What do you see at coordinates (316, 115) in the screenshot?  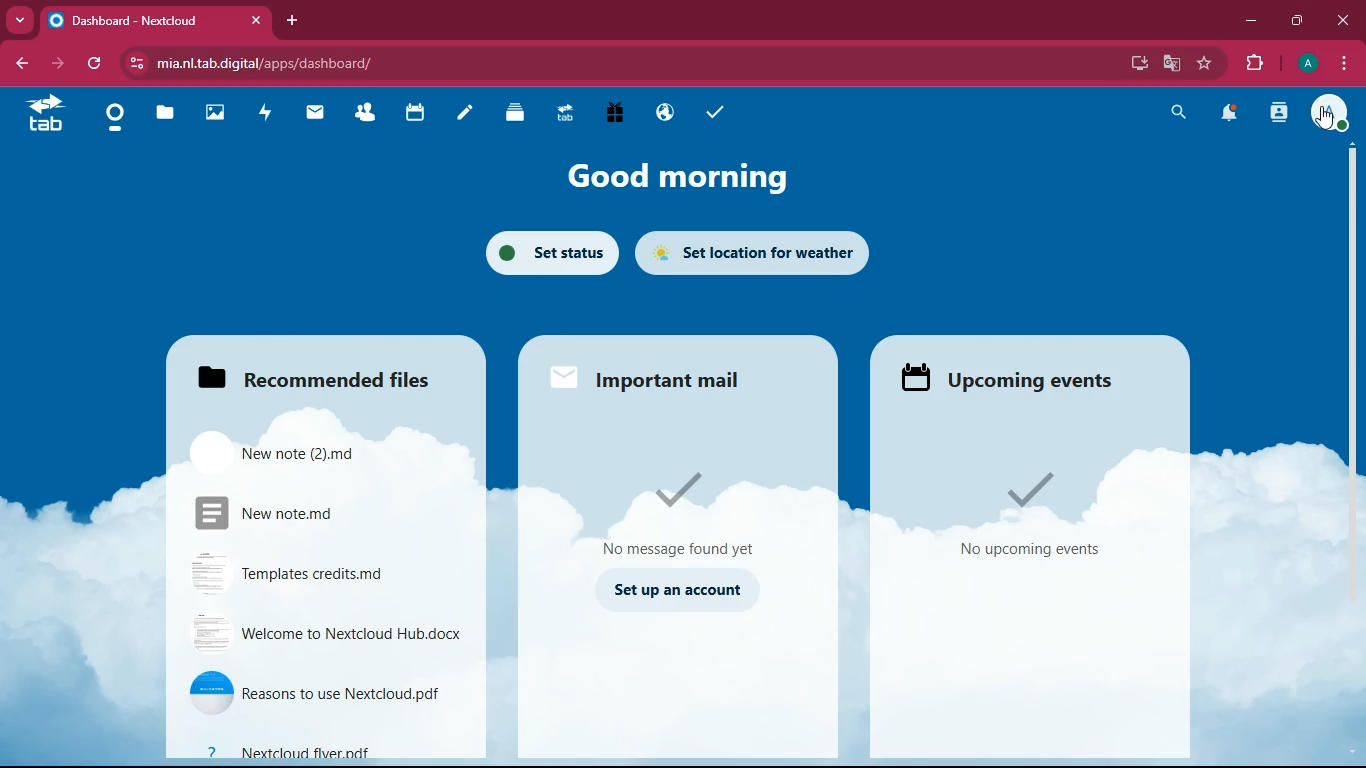 I see `mail` at bounding box center [316, 115].